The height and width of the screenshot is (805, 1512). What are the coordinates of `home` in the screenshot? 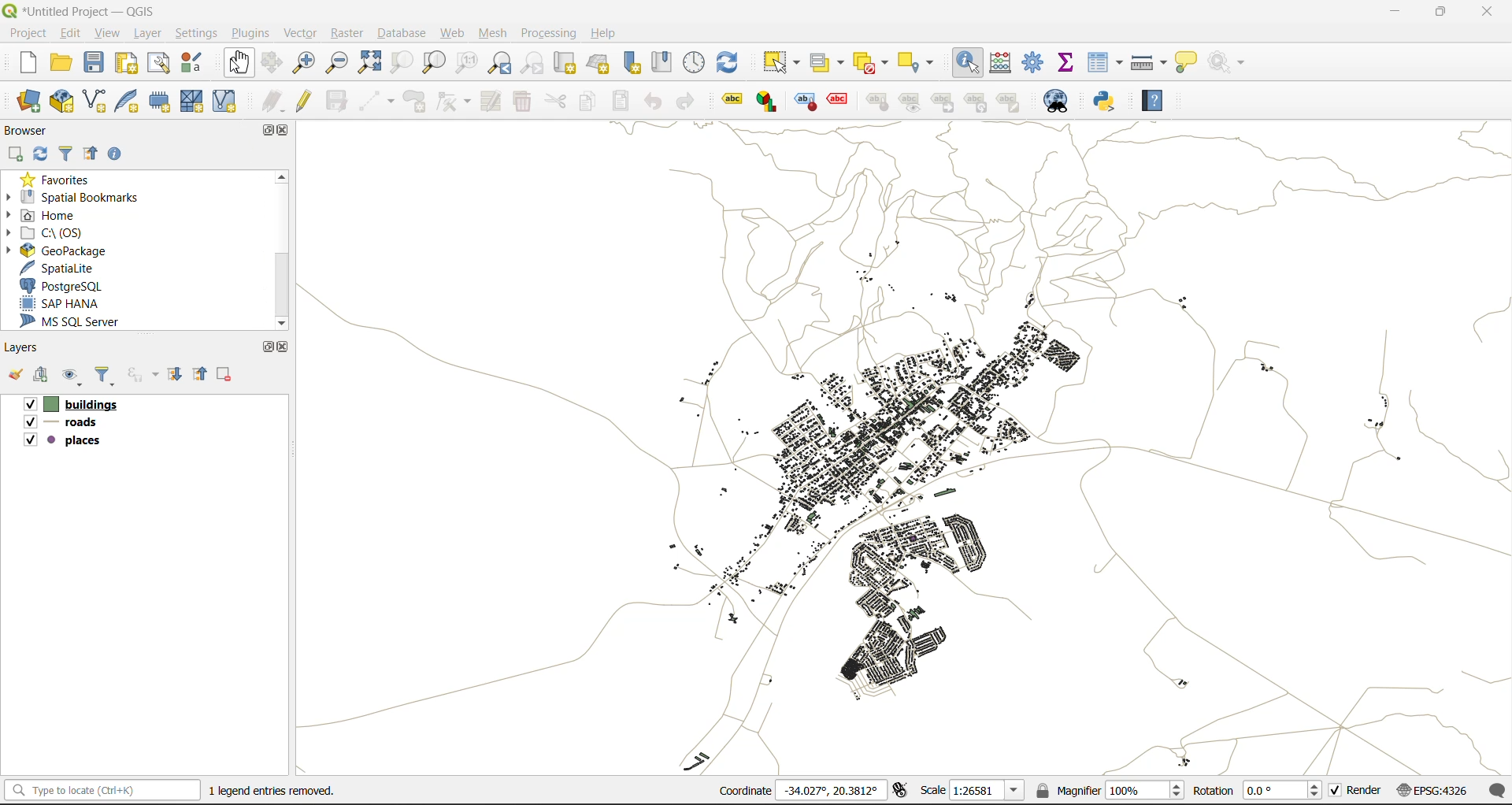 It's located at (47, 214).